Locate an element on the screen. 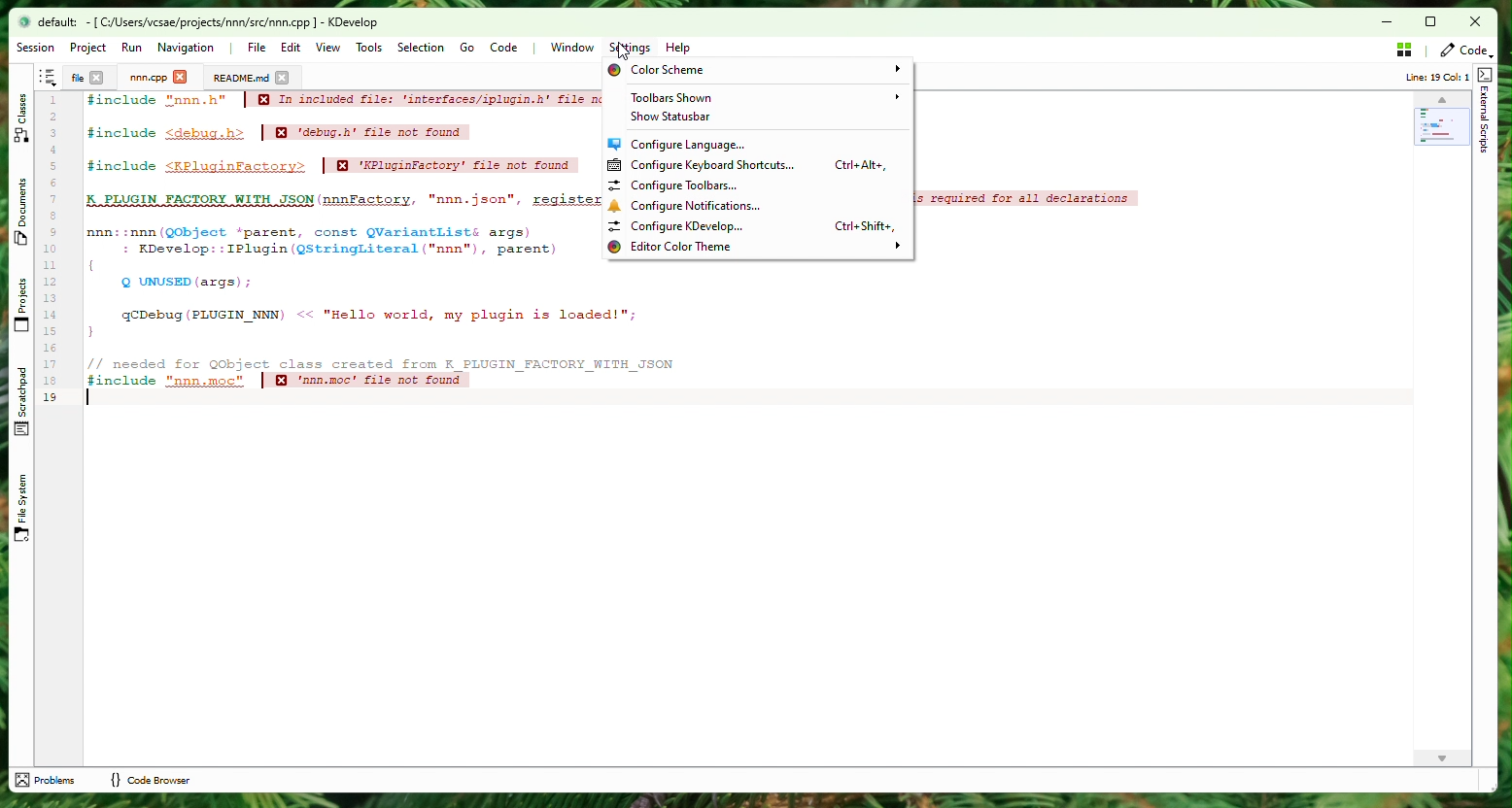 The width and height of the screenshot is (1512, 808). 11 is located at coordinates (51, 265).